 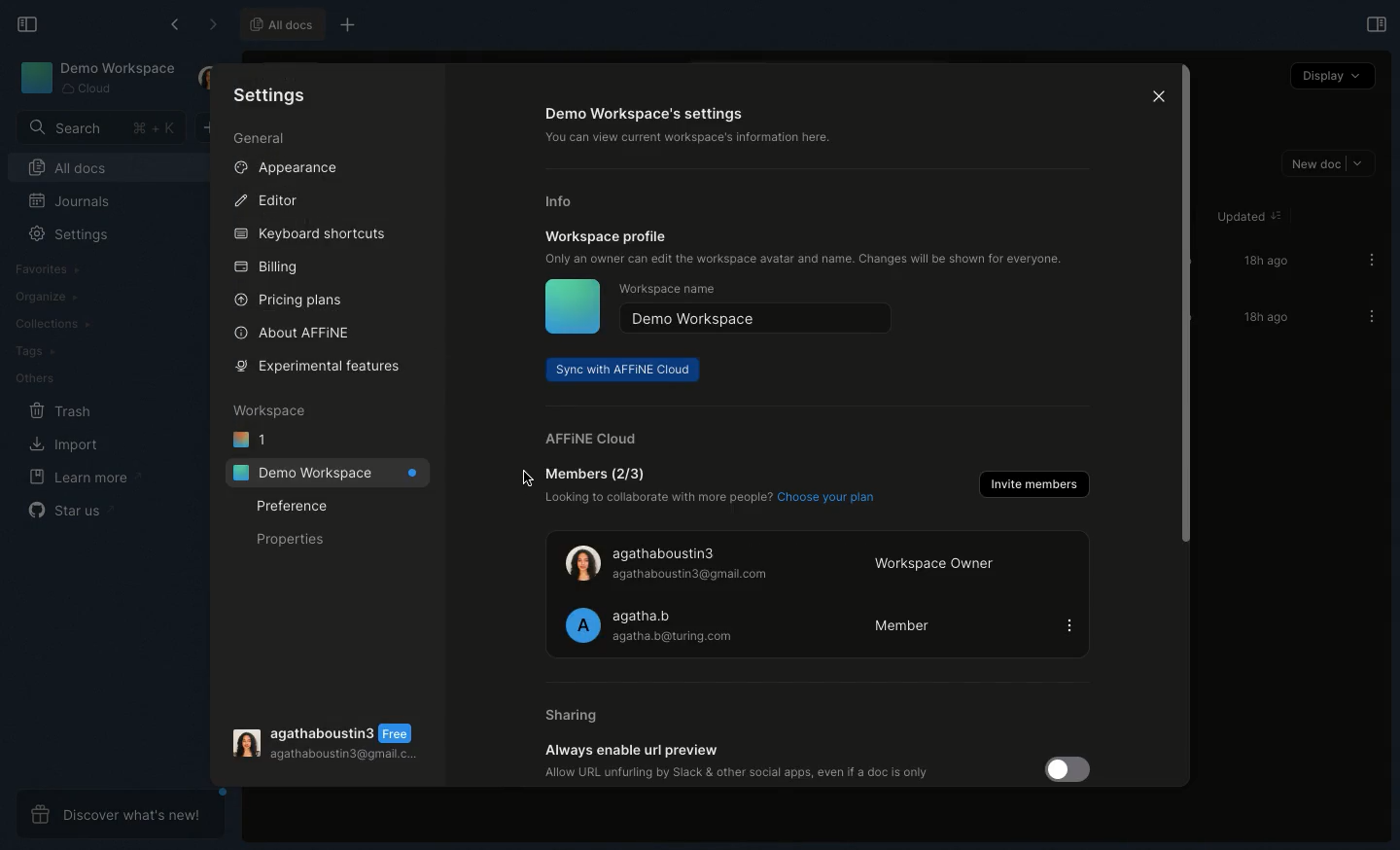 What do you see at coordinates (707, 127) in the screenshot?
I see `Demo workspace's settings` at bounding box center [707, 127].